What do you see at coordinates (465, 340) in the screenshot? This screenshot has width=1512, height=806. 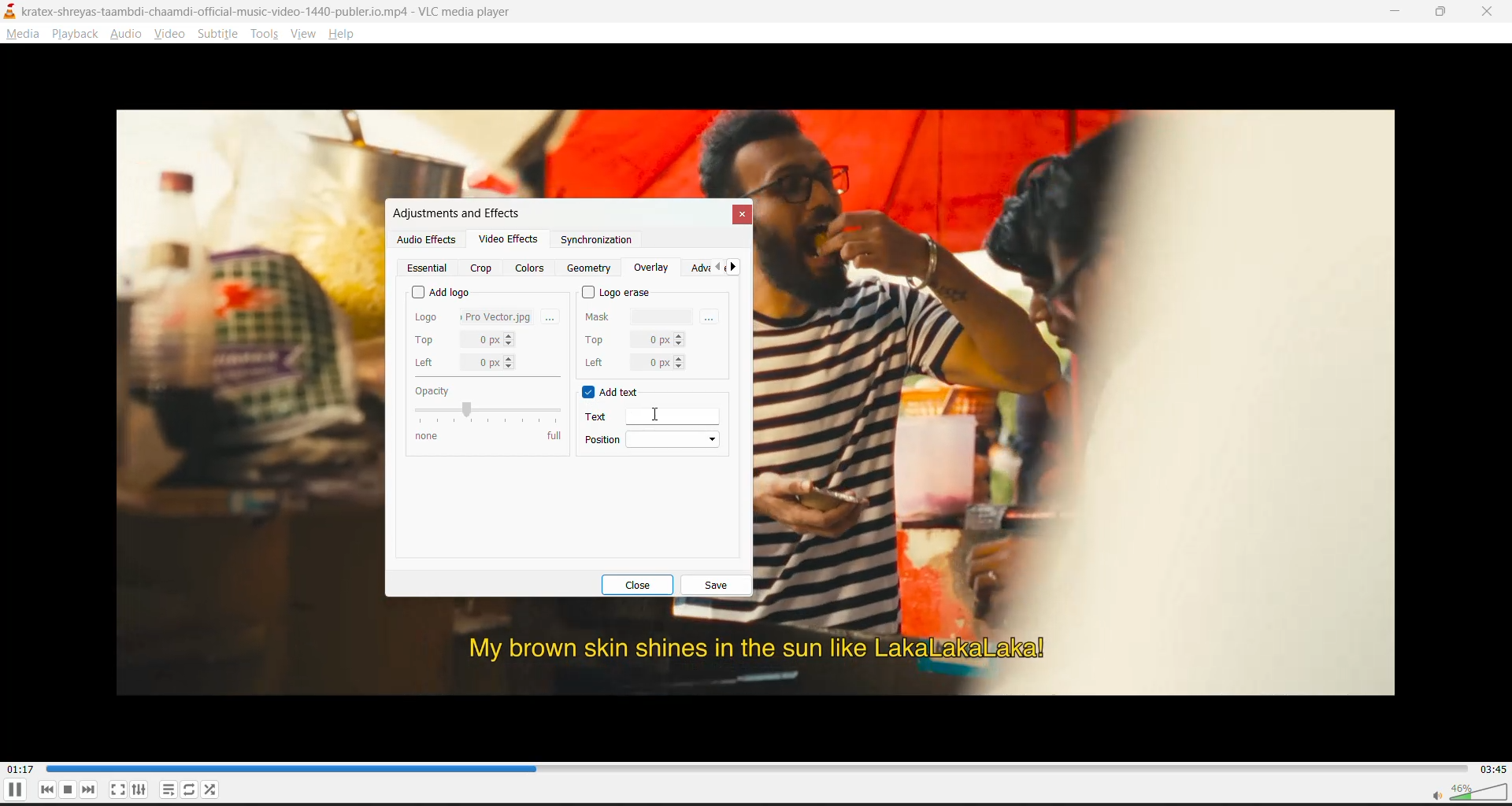 I see `top` at bounding box center [465, 340].